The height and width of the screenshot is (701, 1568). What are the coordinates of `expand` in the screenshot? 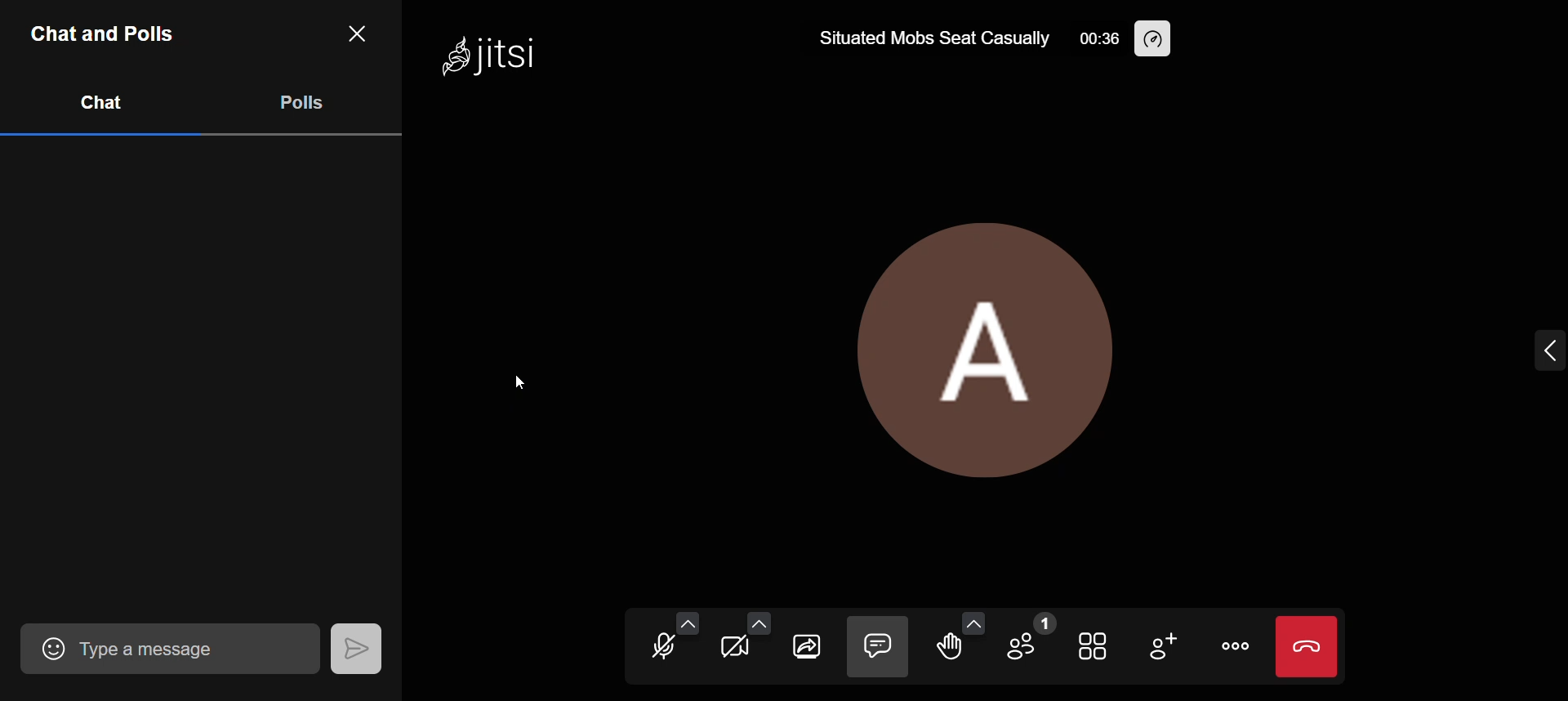 It's located at (1530, 347).